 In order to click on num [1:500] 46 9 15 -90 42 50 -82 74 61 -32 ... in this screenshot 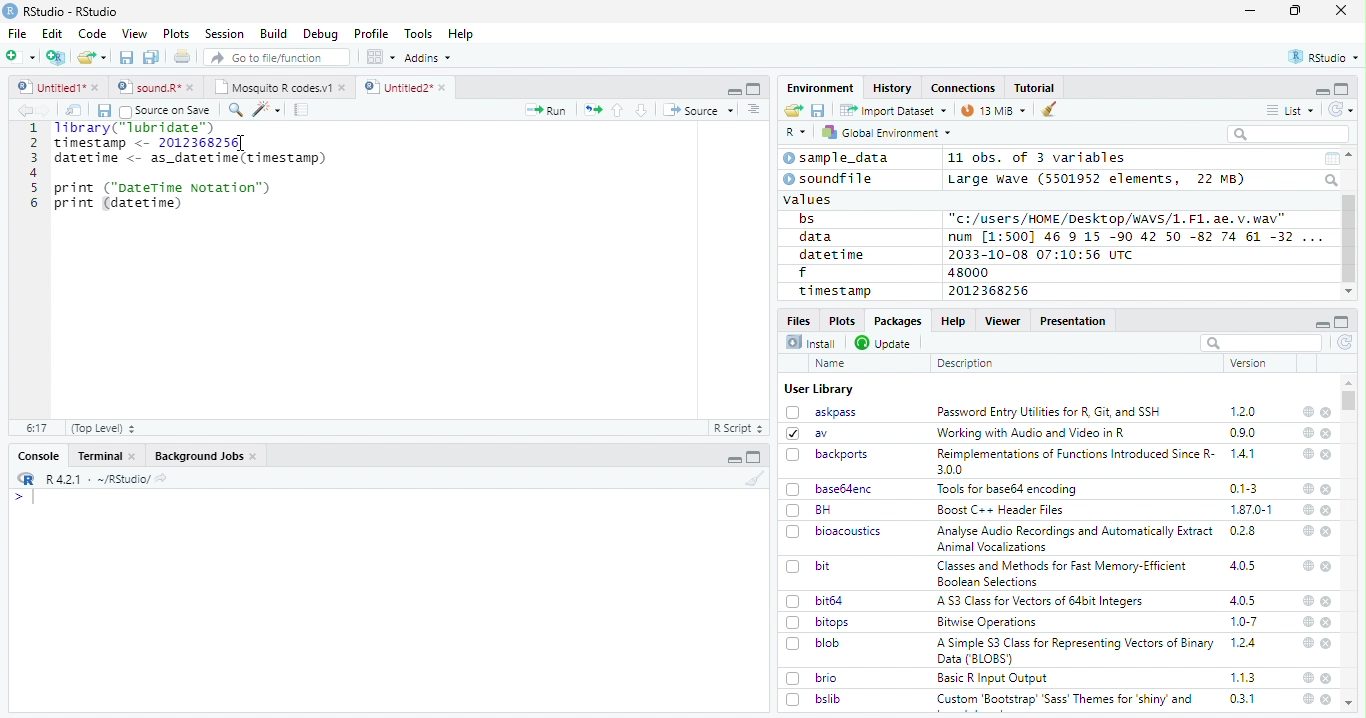, I will do `click(1135, 236)`.